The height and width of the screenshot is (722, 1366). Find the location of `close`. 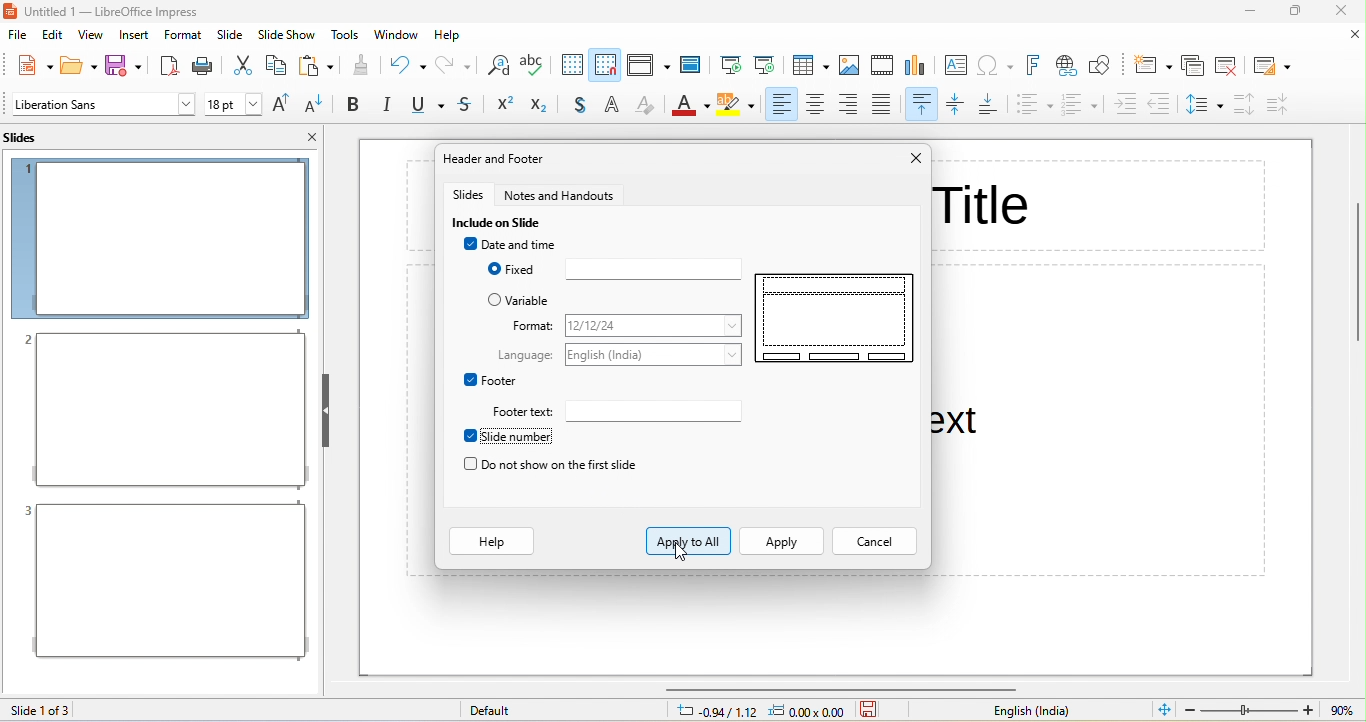

close is located at coordinates (916, 158).